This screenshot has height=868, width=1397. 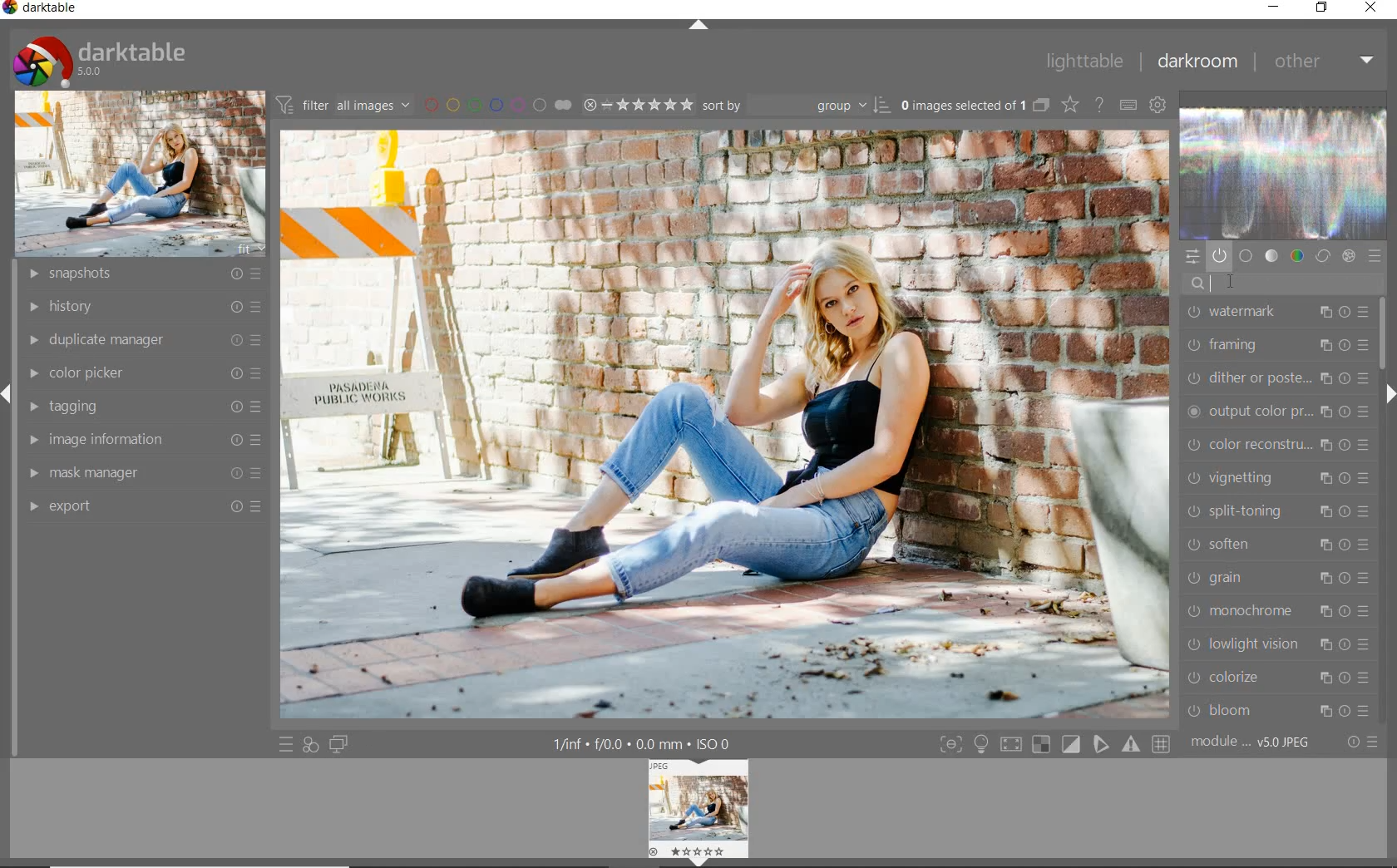 I want to click on color picker, so click(x=141, y=374).